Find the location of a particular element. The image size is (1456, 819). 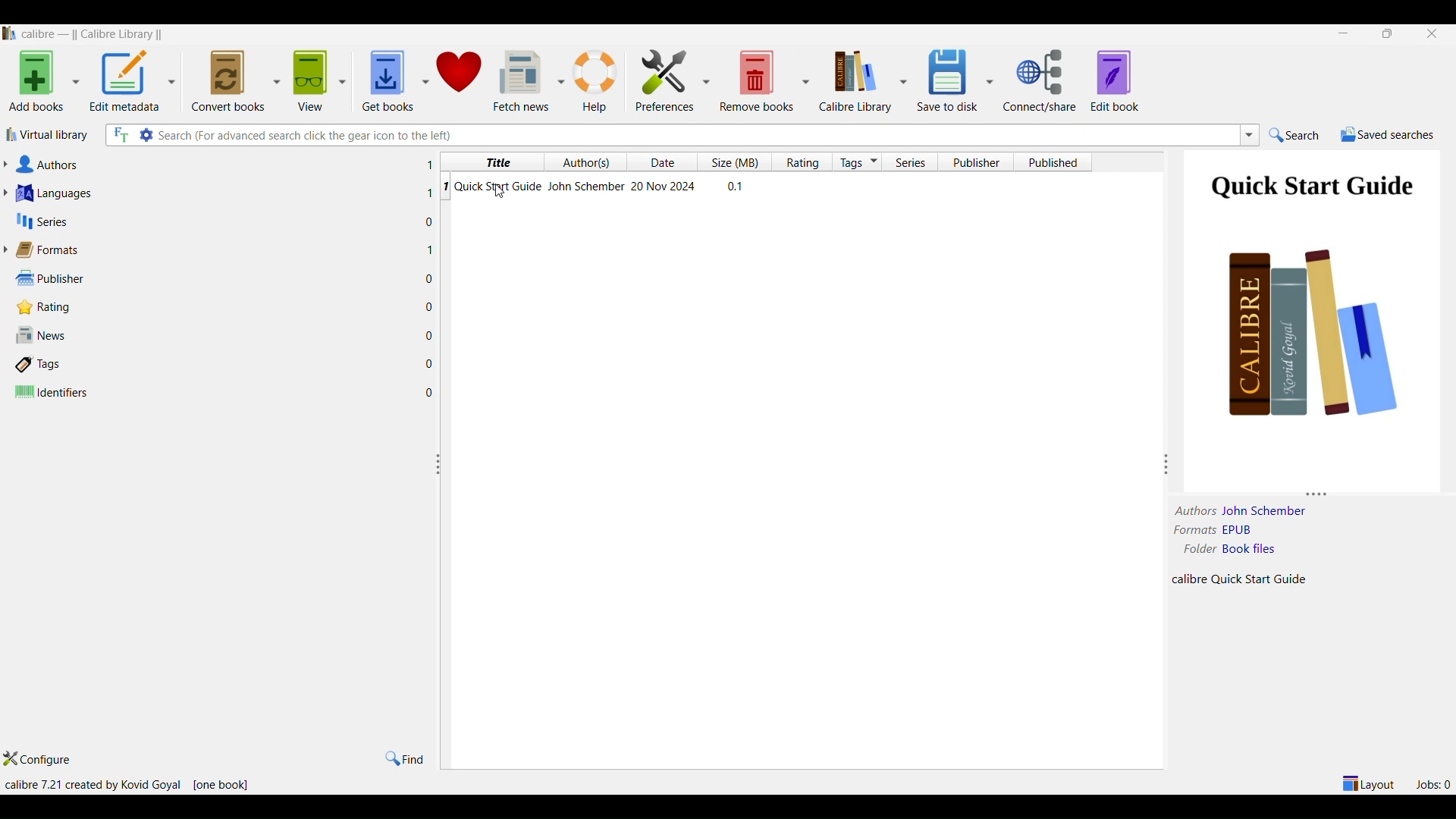

help is located at coordinates (598, 80).